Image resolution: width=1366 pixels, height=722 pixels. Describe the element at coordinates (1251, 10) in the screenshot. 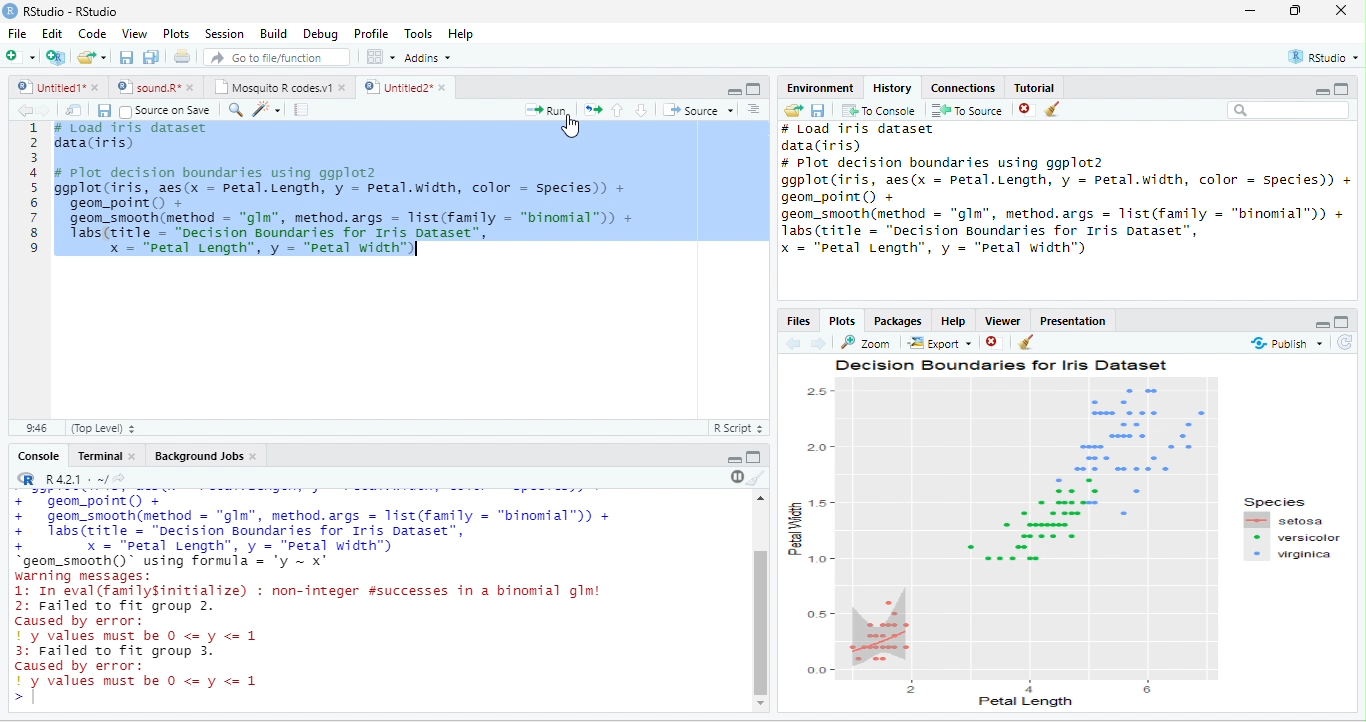

I see `minimize` at that location.